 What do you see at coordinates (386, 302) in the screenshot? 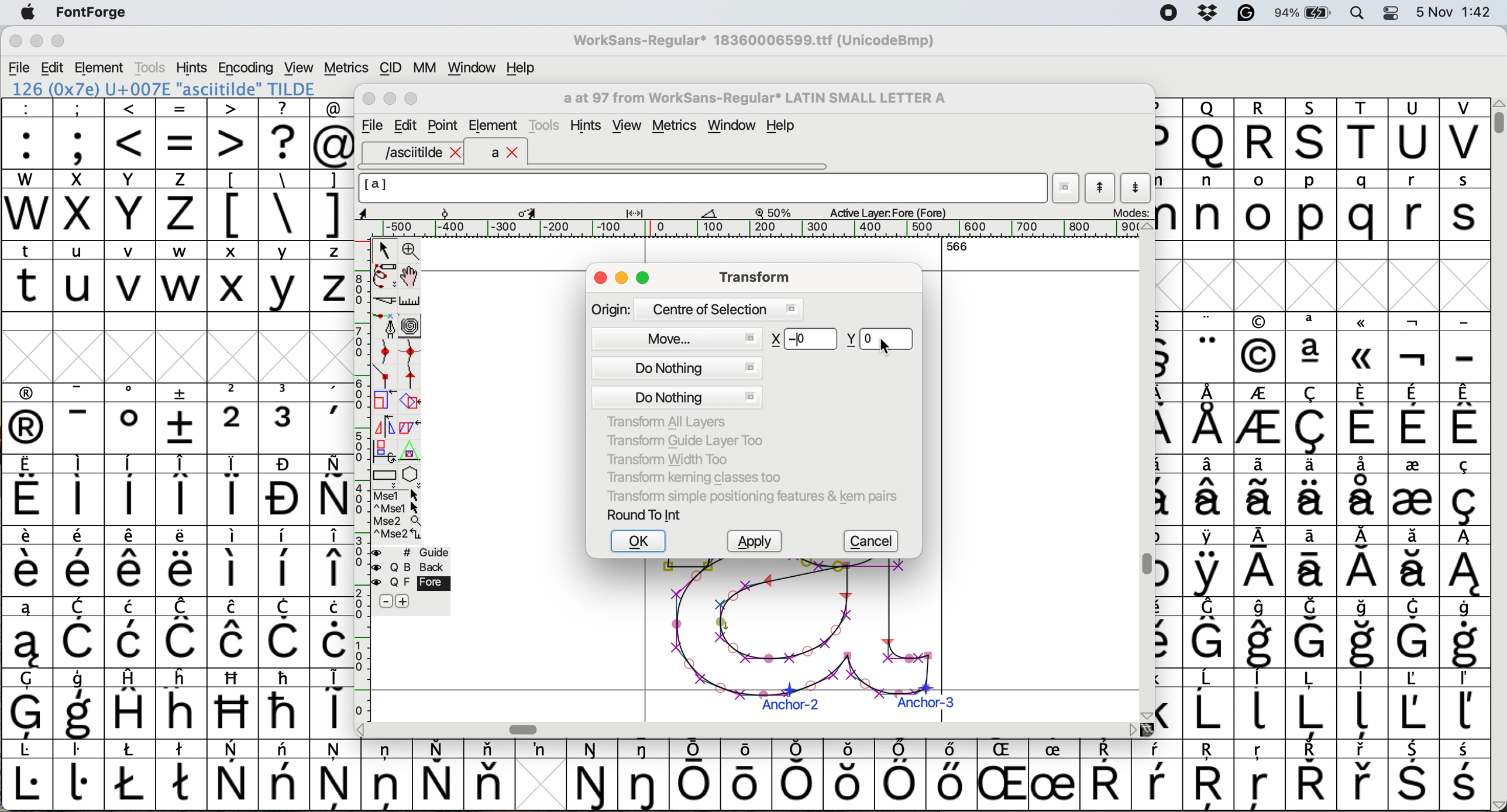
I see `cut splines in two` at bounding box center [386, 302].